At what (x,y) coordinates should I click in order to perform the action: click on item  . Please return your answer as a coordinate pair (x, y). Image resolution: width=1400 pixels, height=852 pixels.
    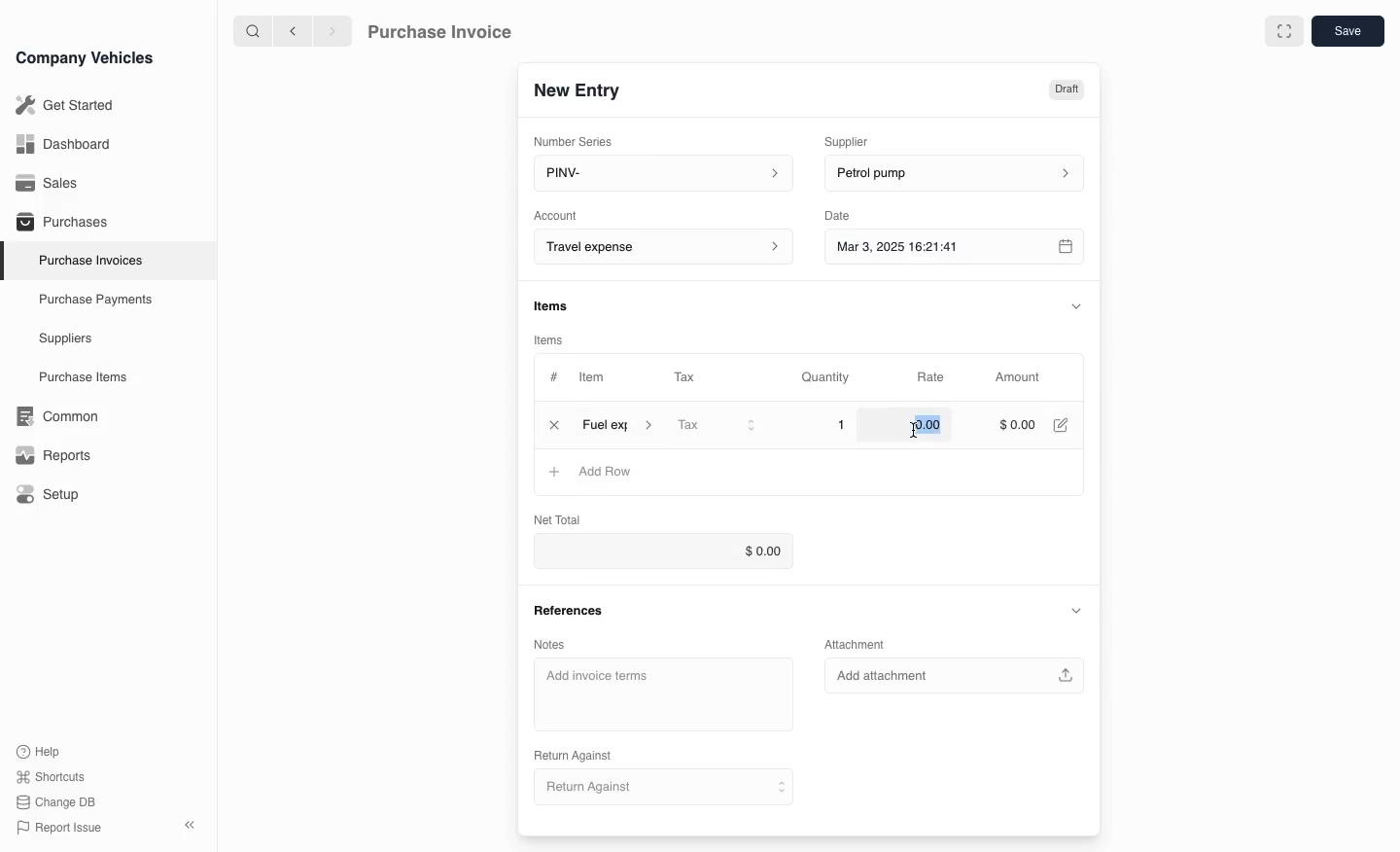
    Looking at the image, I should click on (617, 428).